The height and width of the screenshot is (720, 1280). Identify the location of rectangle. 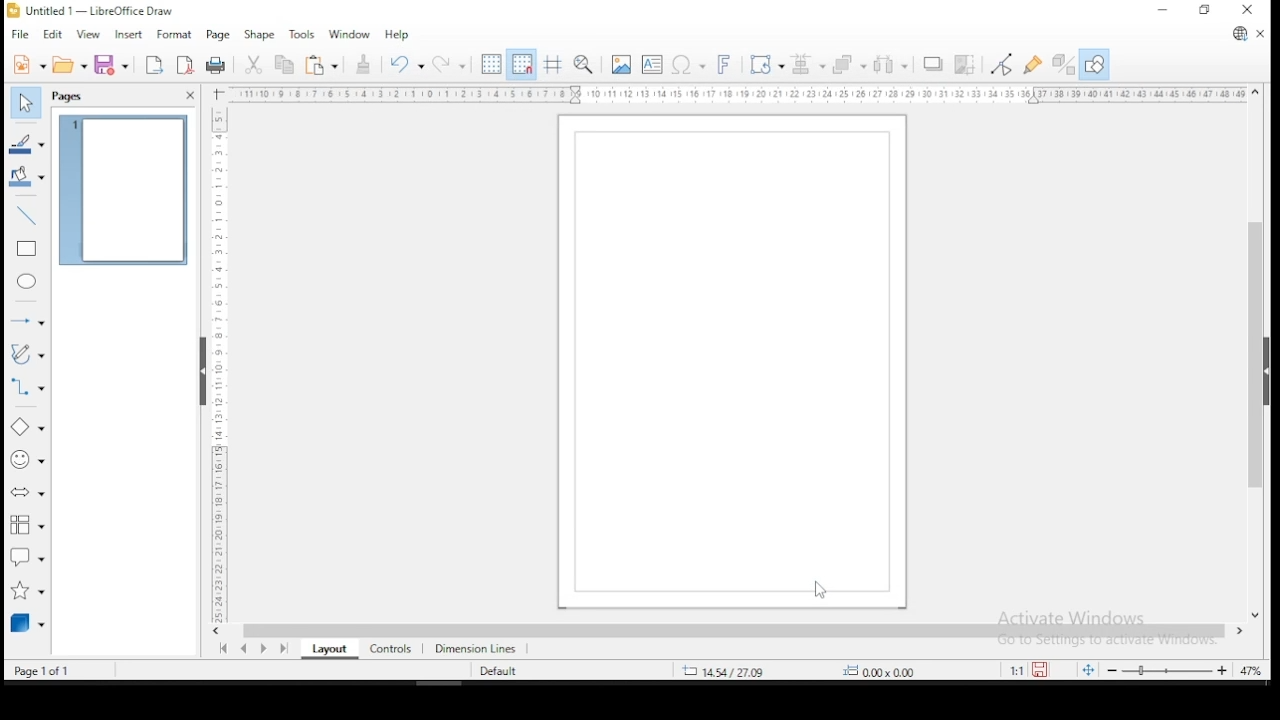
(25, 250).